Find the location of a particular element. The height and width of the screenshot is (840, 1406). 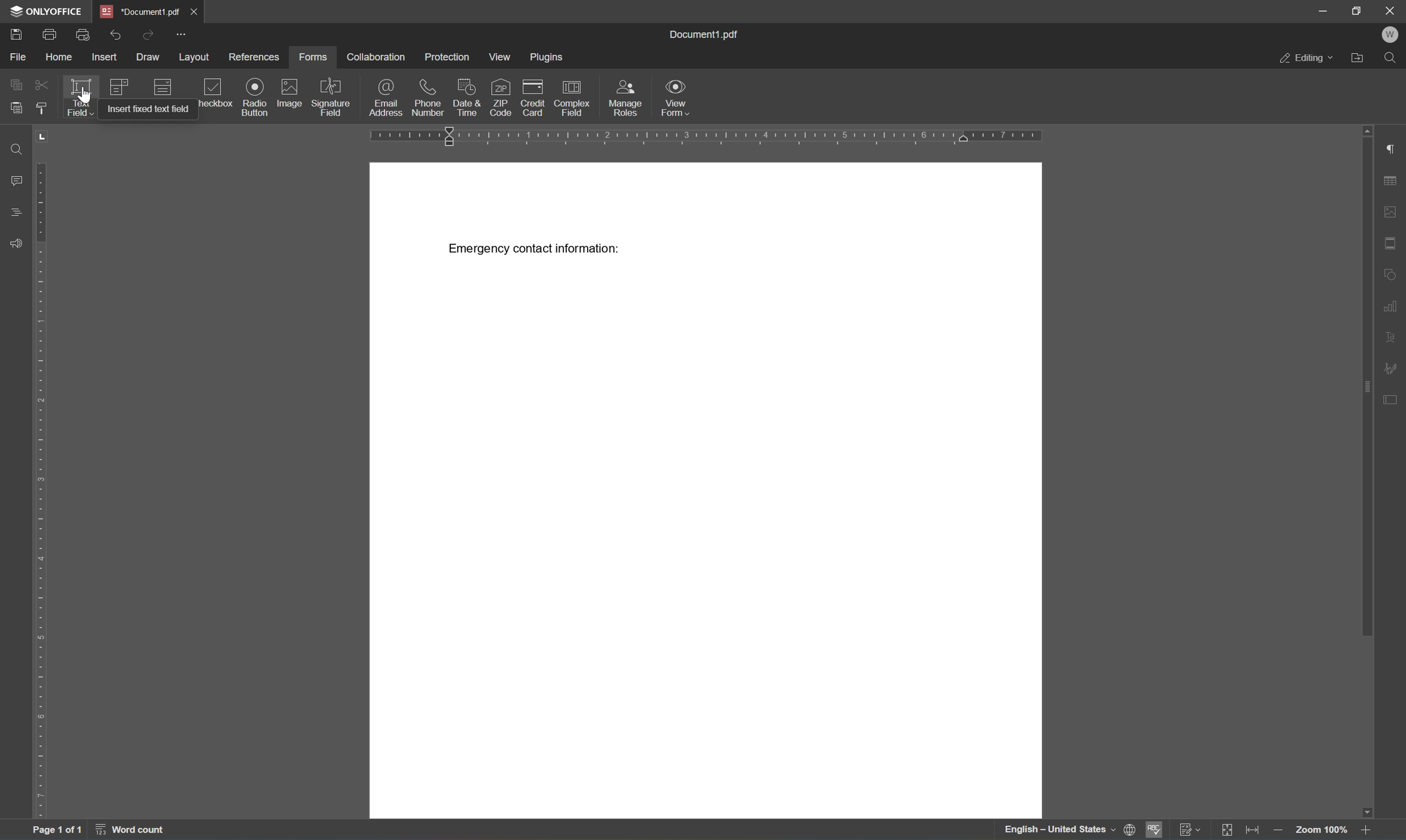

protection is located at coordinates (450, 59).